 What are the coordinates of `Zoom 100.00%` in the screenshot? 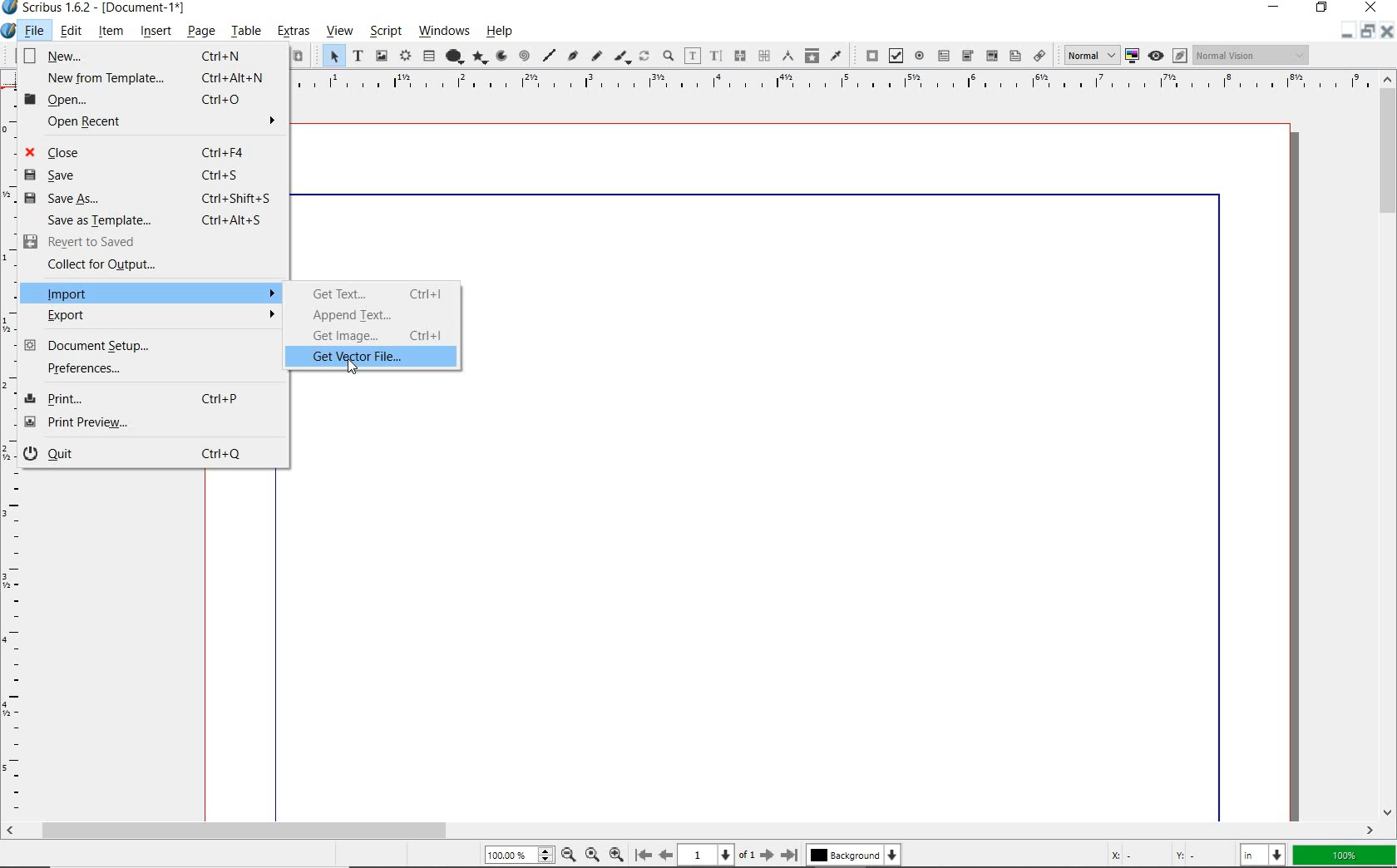 It's located at (519, 854).